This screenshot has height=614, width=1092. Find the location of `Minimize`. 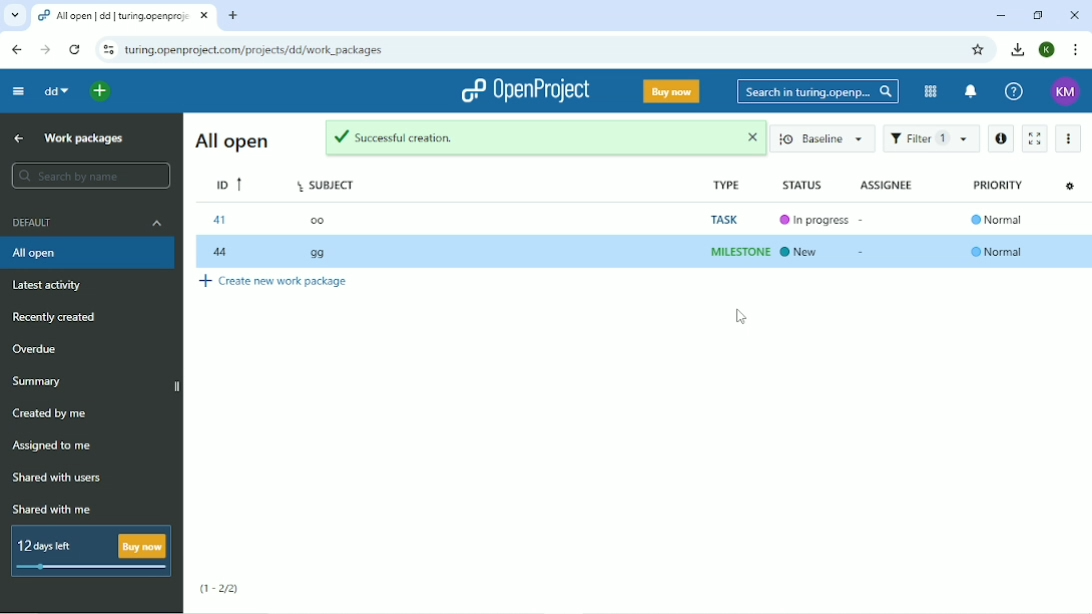

Minimize is located at coordinates (1001, 15).